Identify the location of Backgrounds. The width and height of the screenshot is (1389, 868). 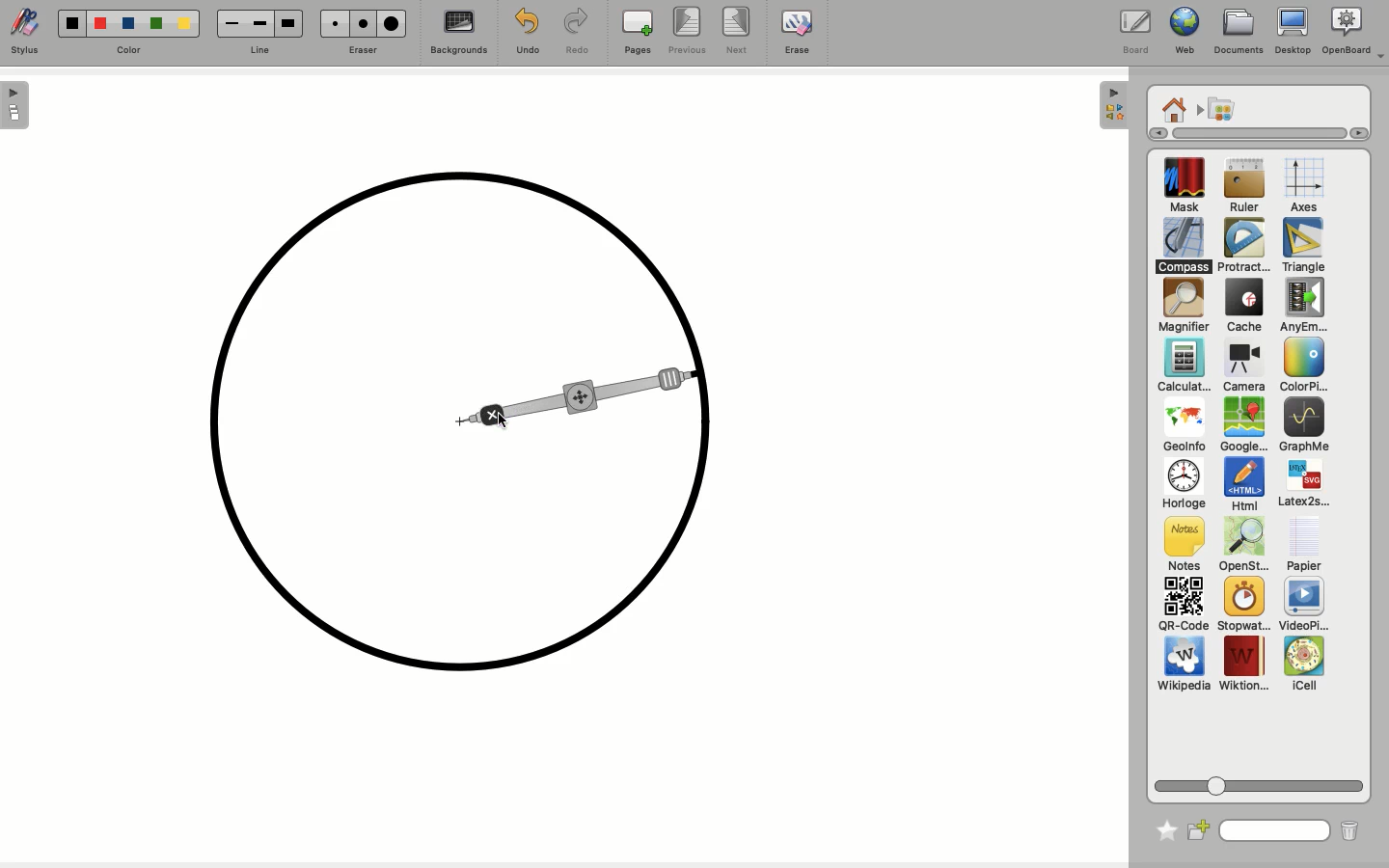
(456, 35).